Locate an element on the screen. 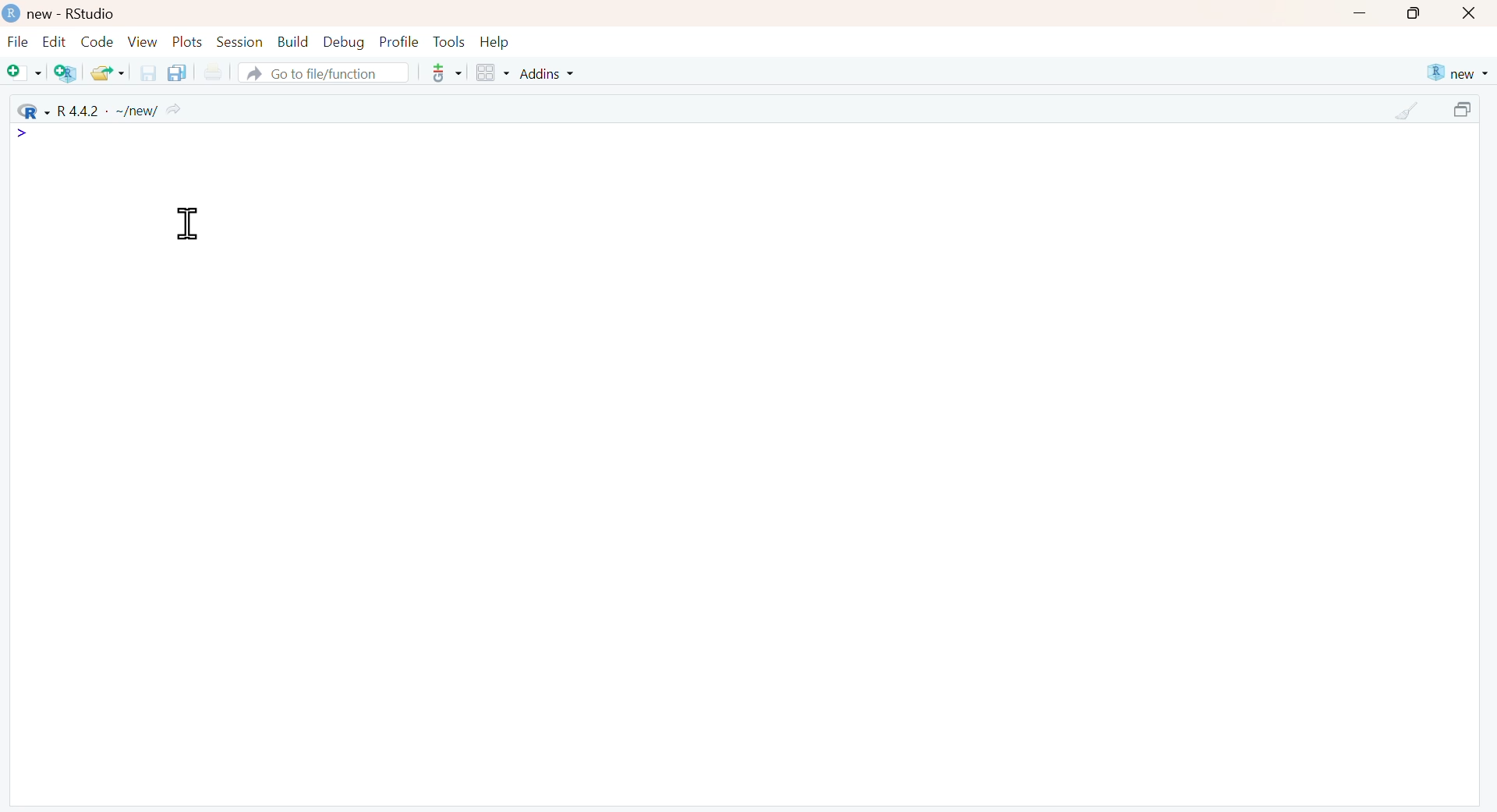  Code is located at coordinates (97, 41).